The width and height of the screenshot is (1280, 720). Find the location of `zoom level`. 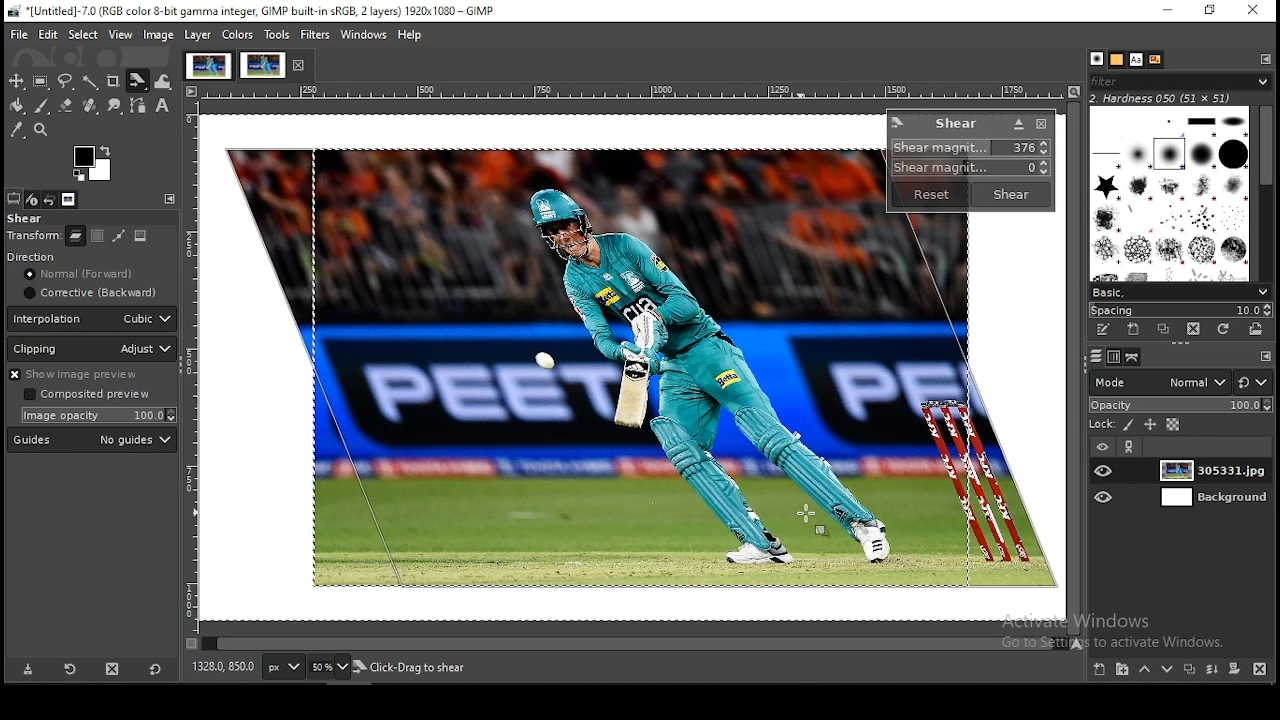

zoom level is located at coordinates (330, 667).